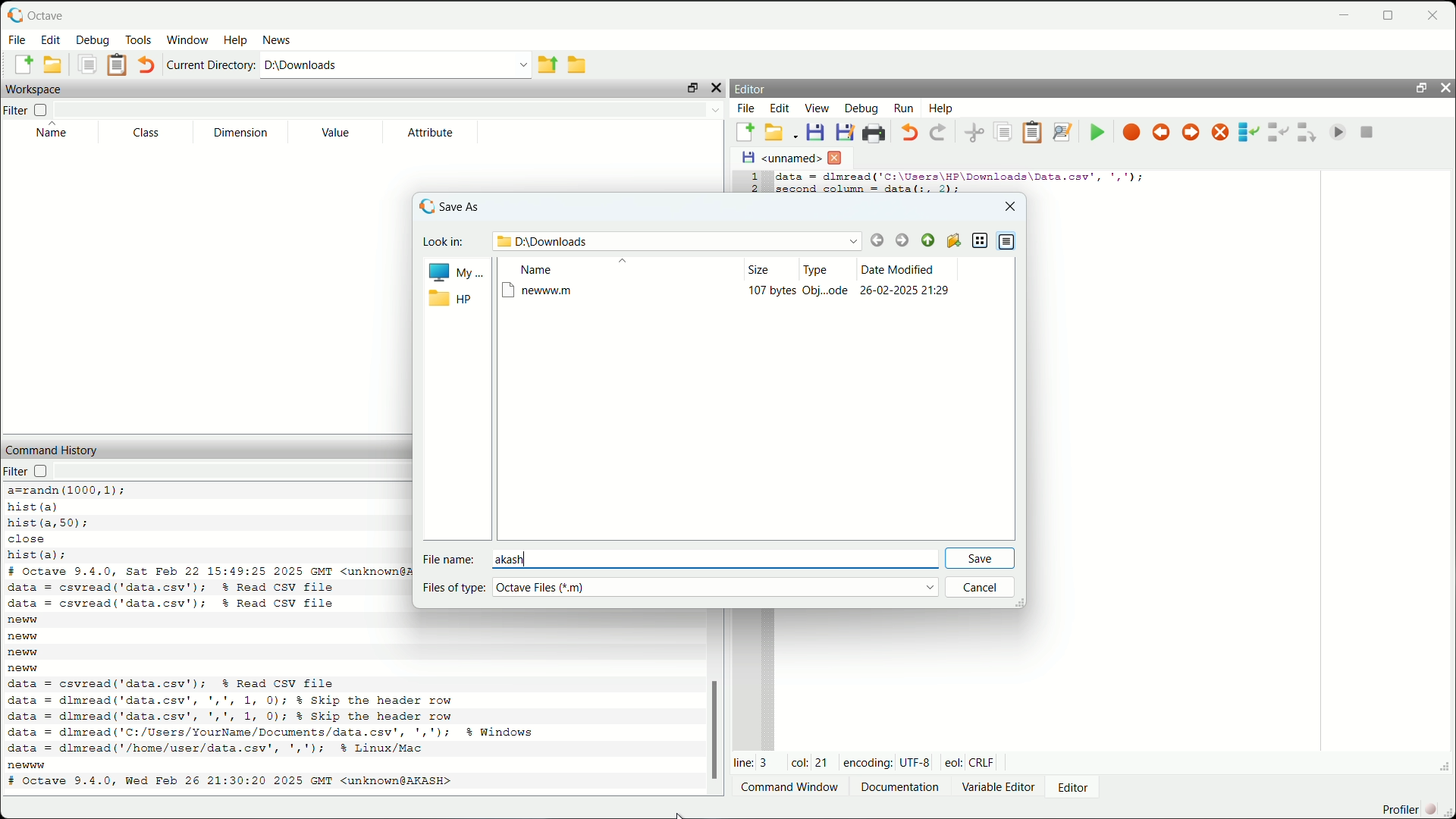  What do you see at coordinates (1278, 134) in the screenshot?
I see `step in` at bounding box center [1278, 134].